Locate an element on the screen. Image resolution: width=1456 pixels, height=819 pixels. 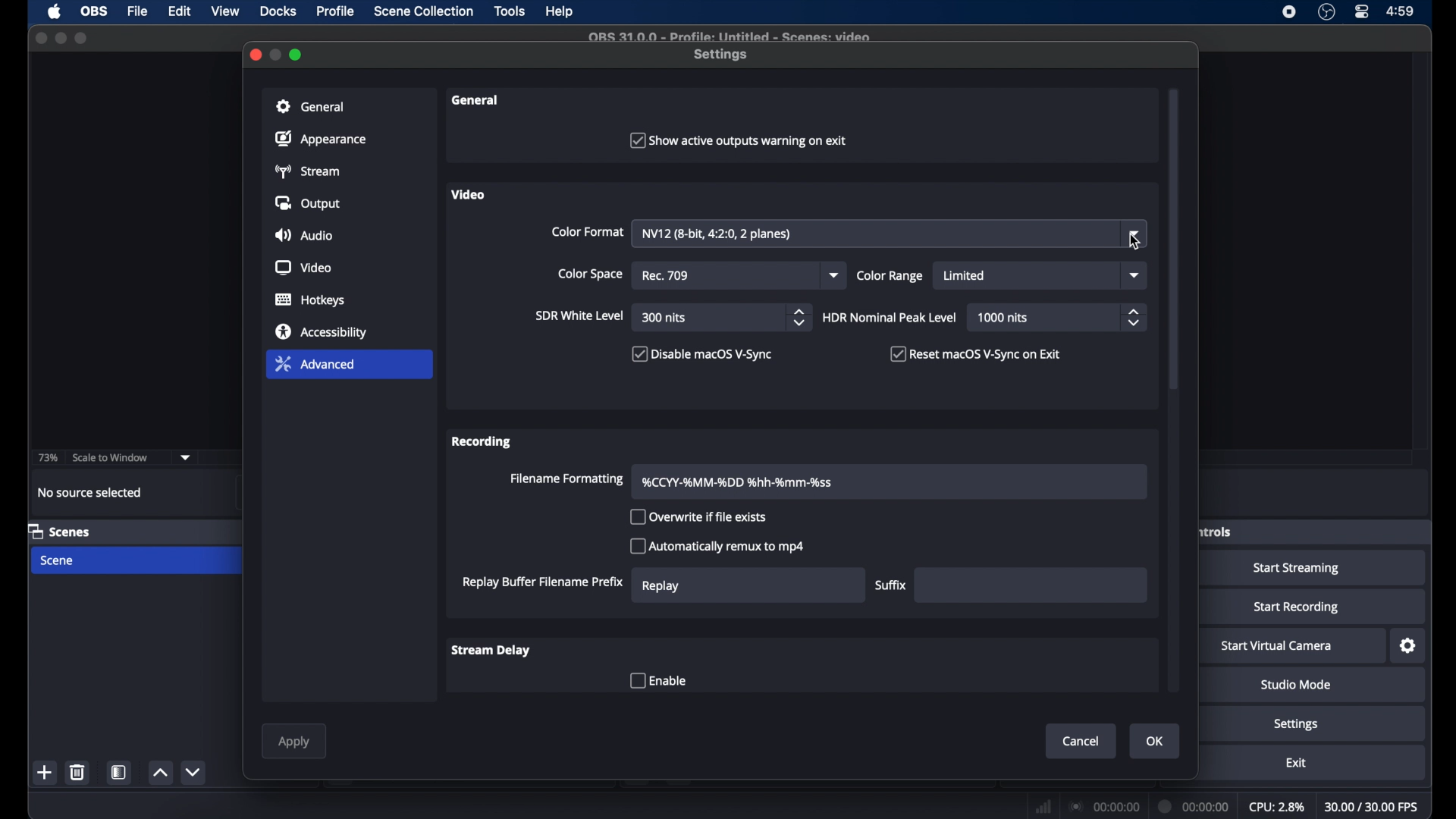
decrement is located at coordinates (194, 772).